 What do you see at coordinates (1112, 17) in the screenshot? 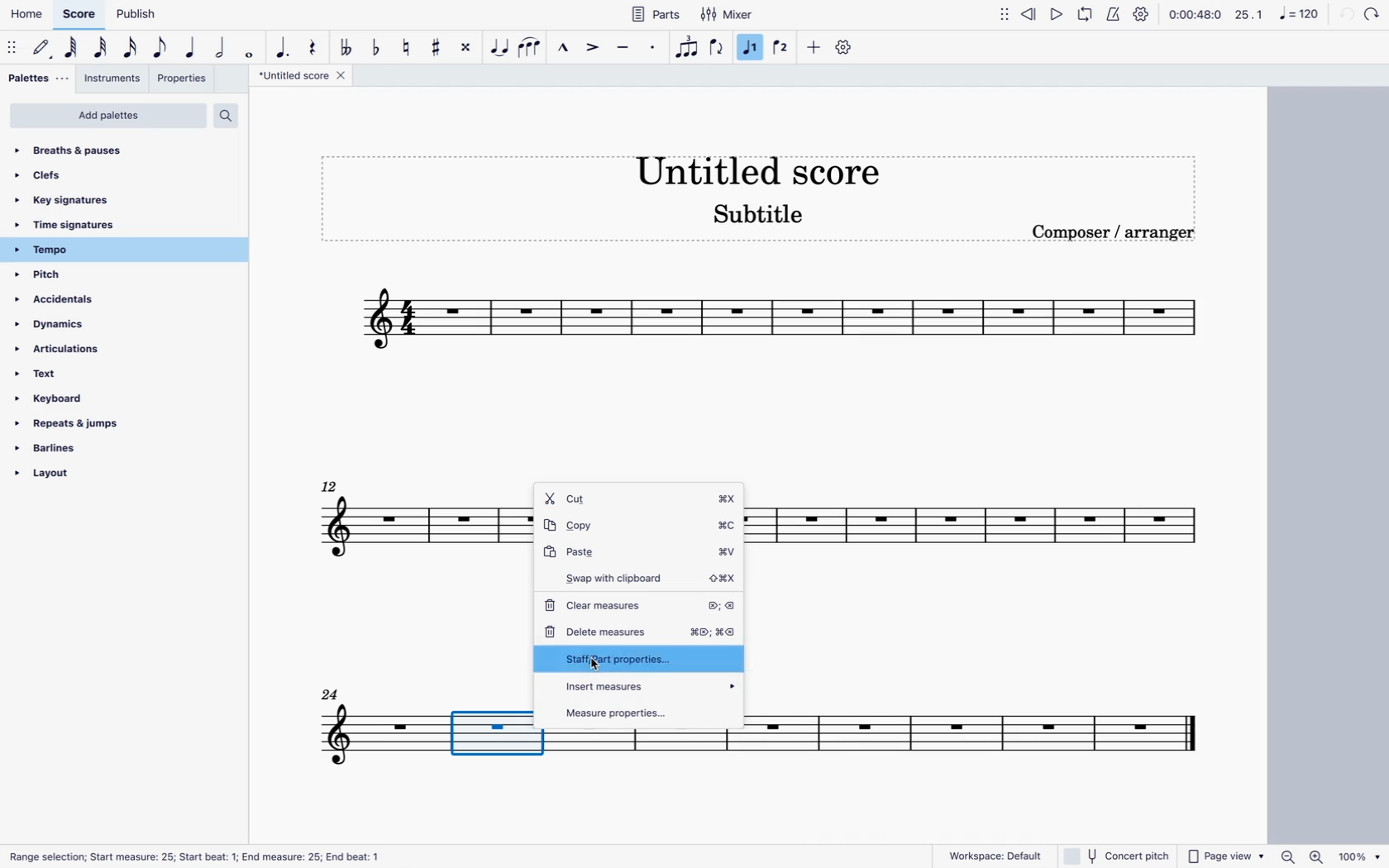
I see `metronome` at bounding box center [1112, 17].